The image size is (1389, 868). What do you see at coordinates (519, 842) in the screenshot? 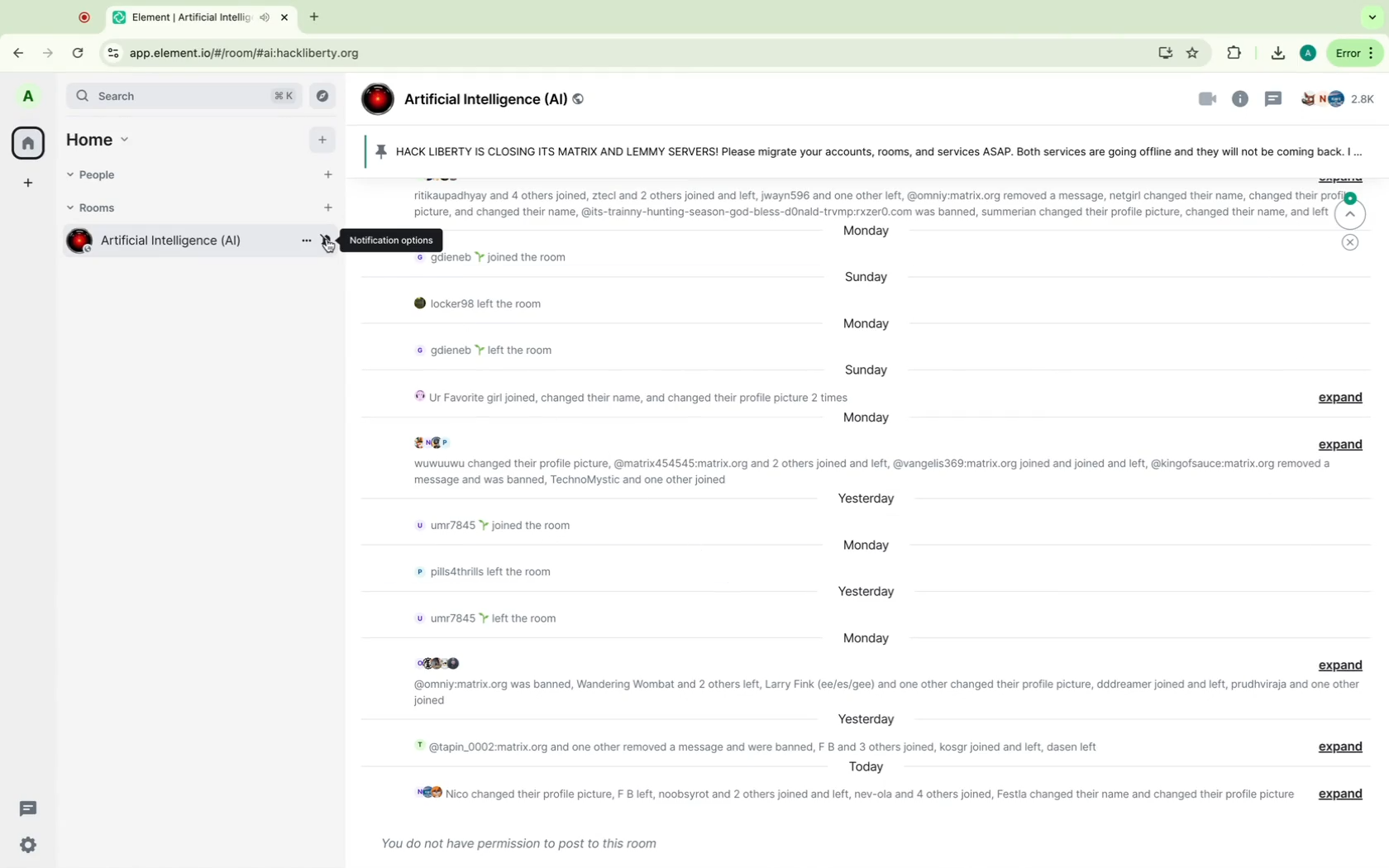
I see `message` at bounding box center [519, 842].